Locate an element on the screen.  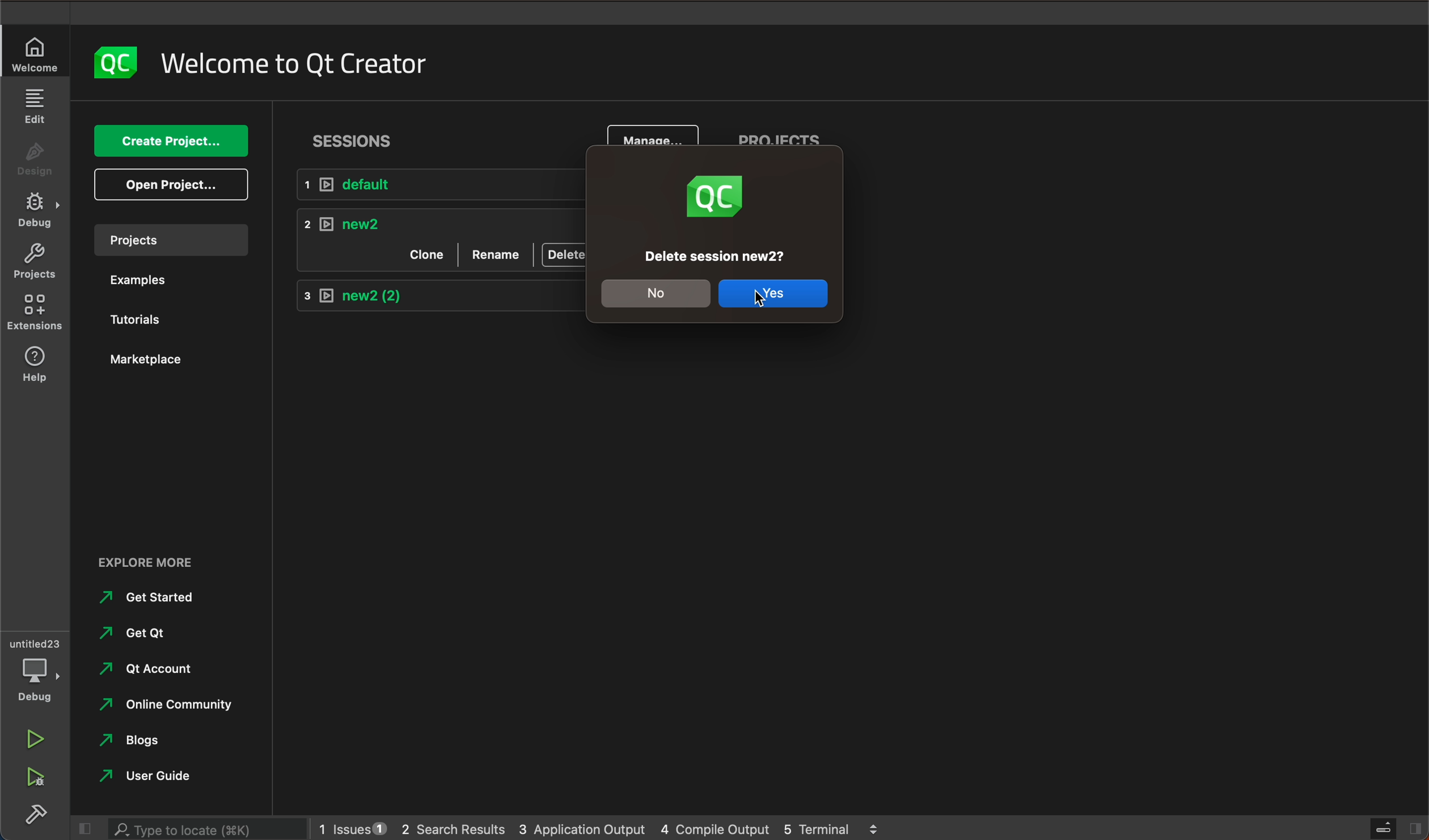
Blogs is located at coordinates (136, 743).